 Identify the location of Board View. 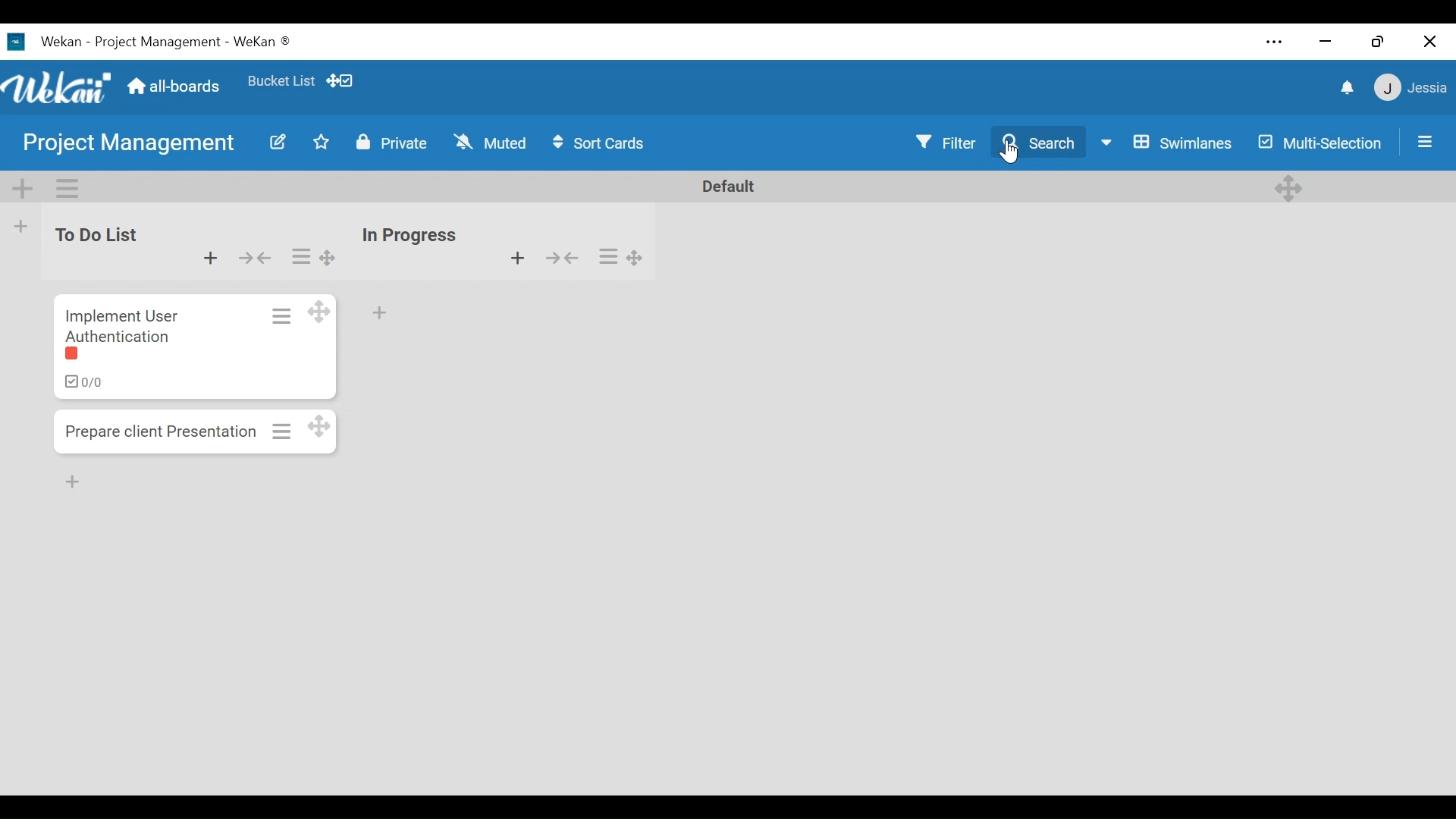
(1163, 142).